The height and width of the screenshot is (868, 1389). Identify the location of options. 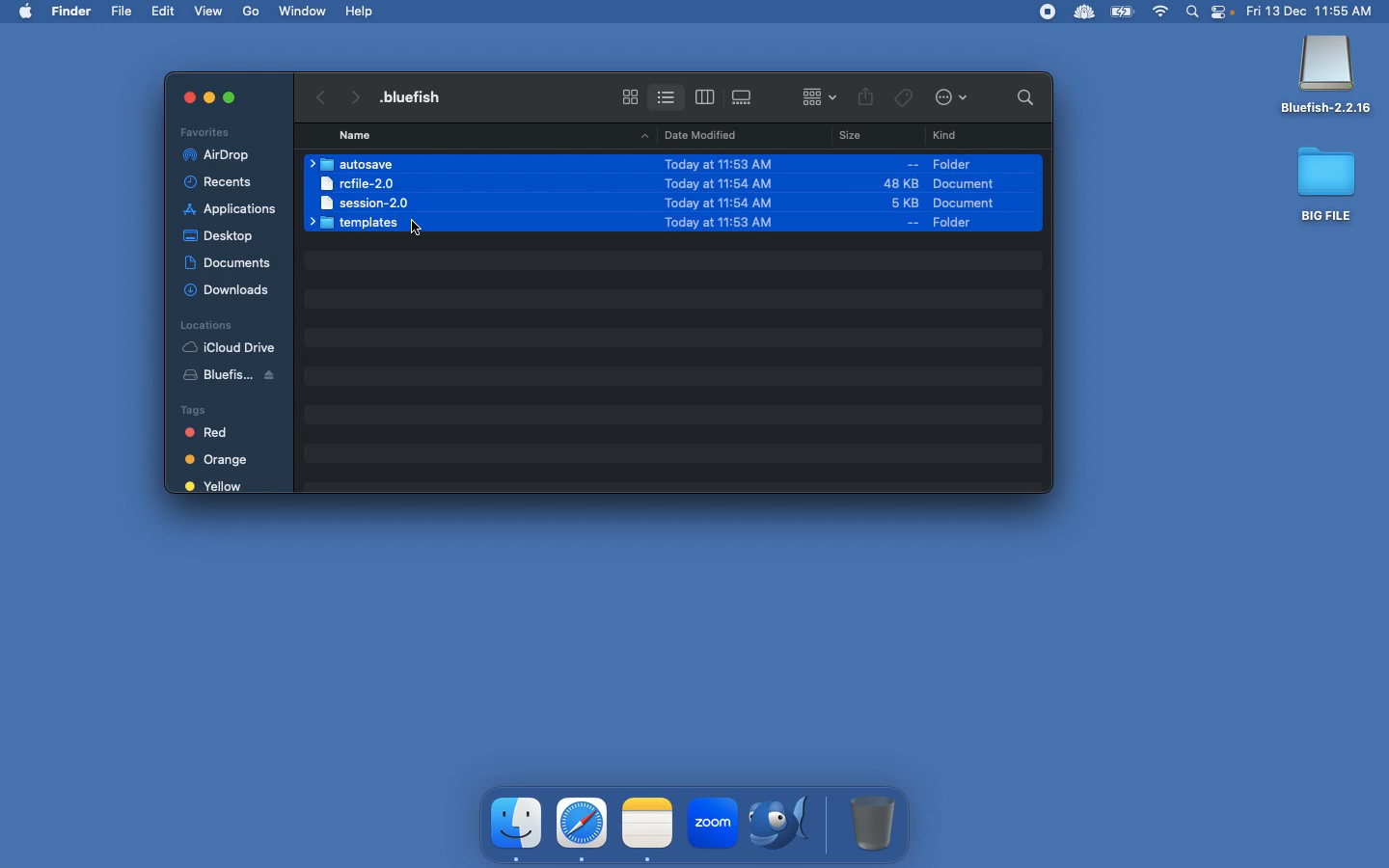
(955, 98).